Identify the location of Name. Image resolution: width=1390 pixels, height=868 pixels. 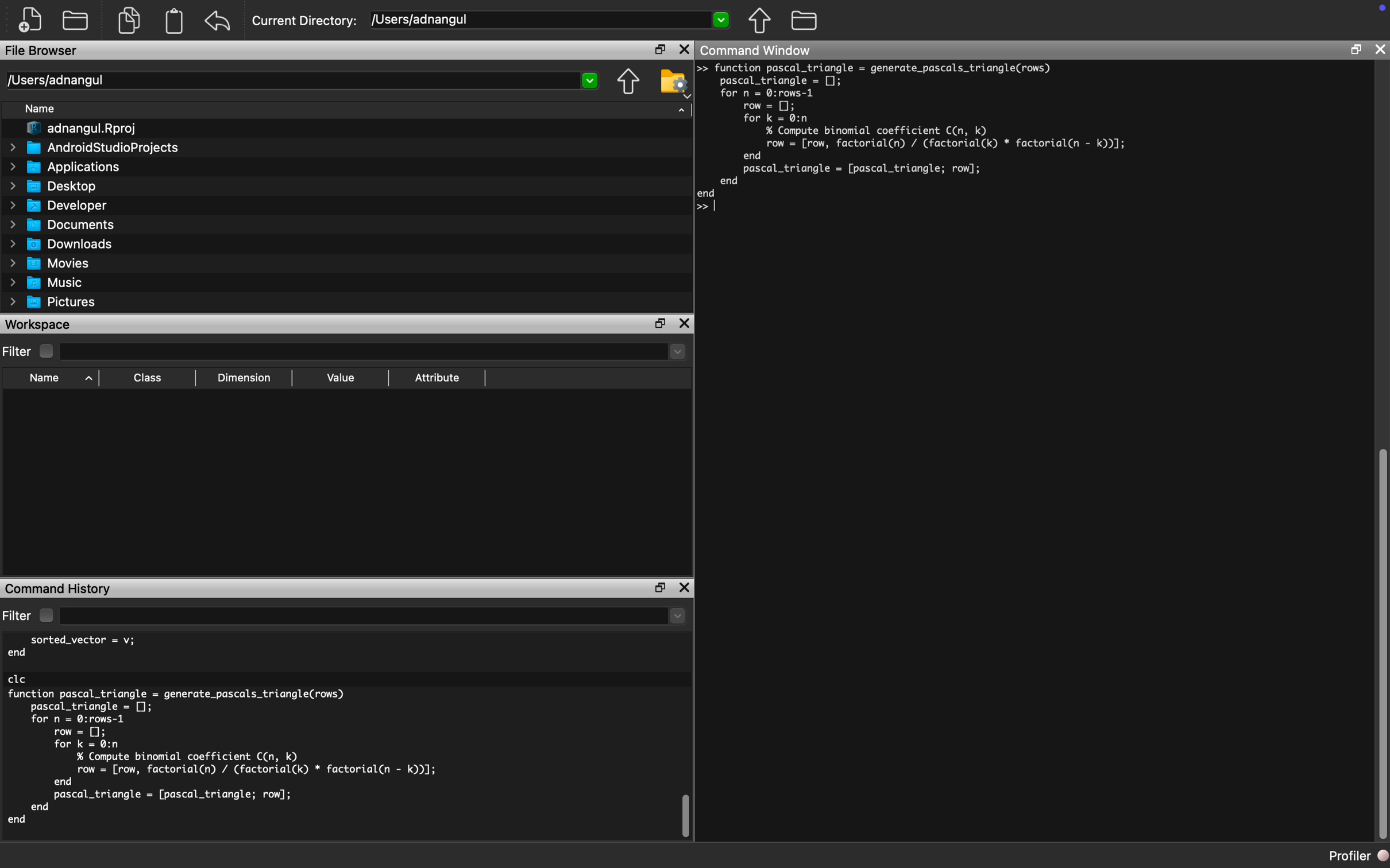
(39, 109).